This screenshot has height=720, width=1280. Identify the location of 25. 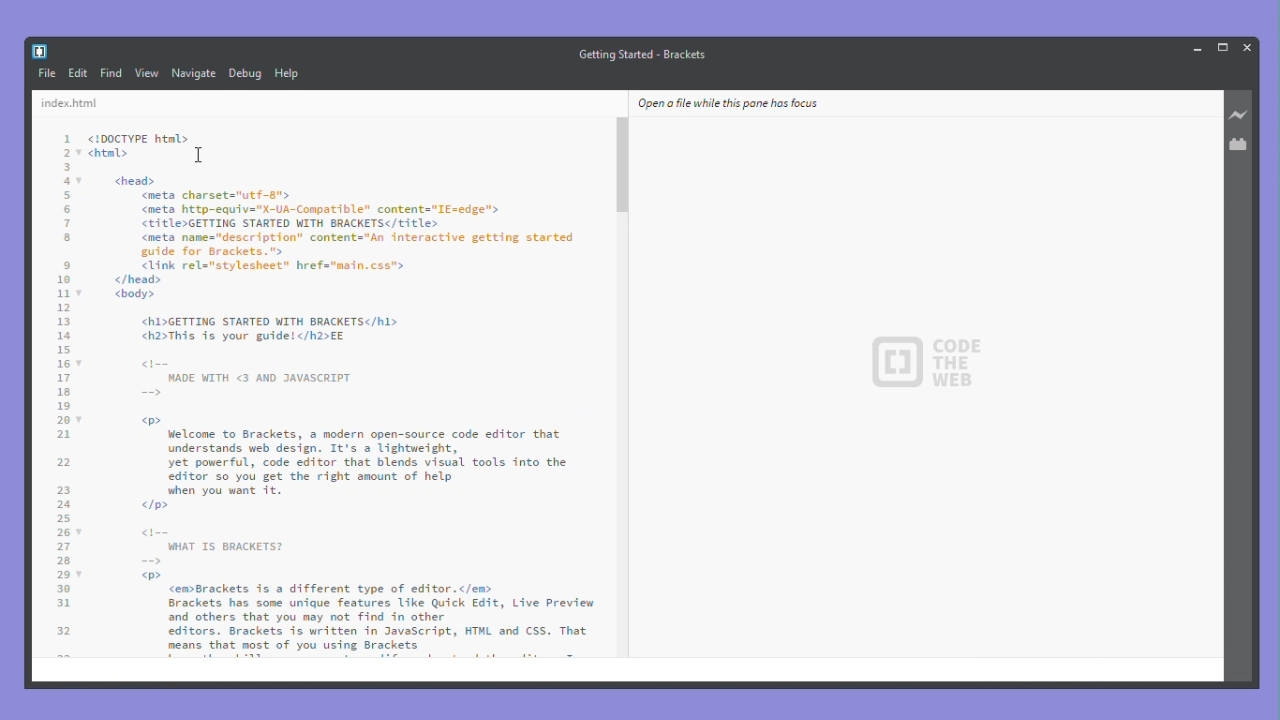
(63, 519).